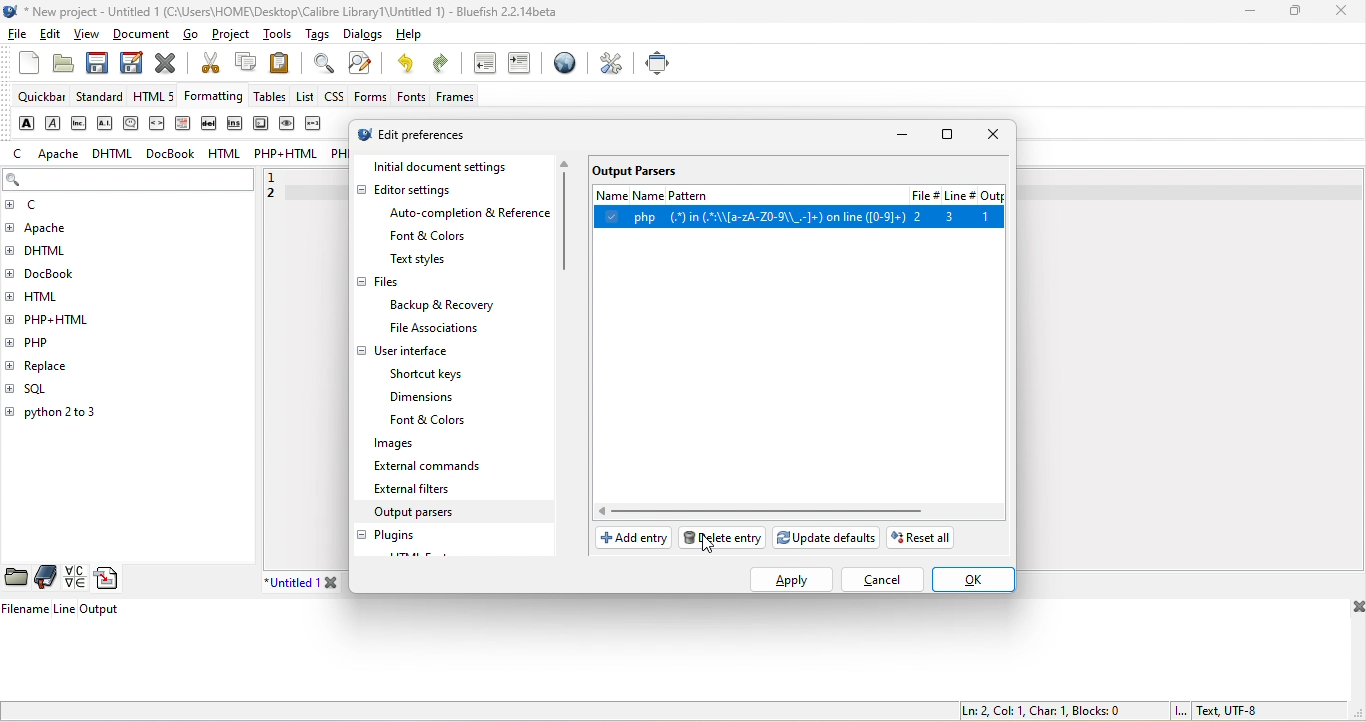 This screenshot has height=722, width=1366. I want to click on auto completion & reference, so click(474, 213).